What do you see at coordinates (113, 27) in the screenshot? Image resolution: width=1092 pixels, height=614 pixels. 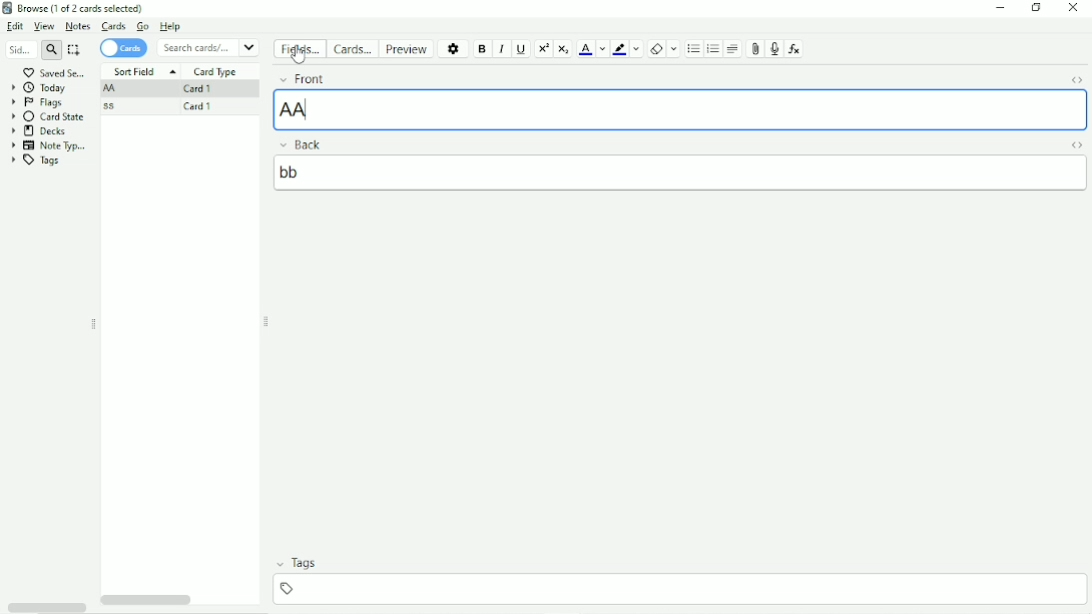 I see `Cards` at bounding box center [113, 27].